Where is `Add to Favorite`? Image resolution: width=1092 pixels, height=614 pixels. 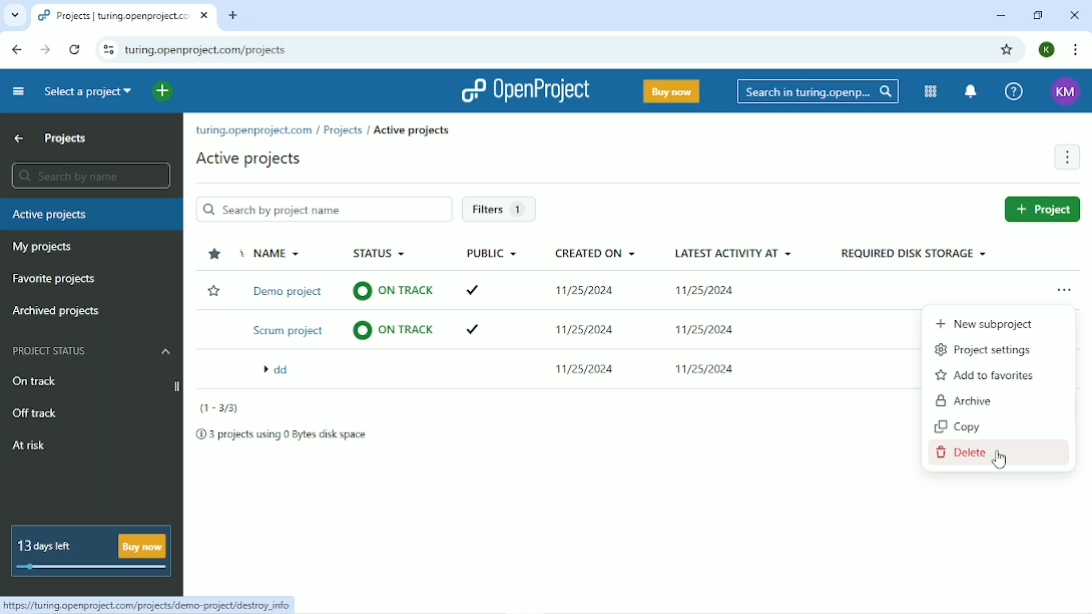 Add to Favorite is located at coordinates (214, 291).